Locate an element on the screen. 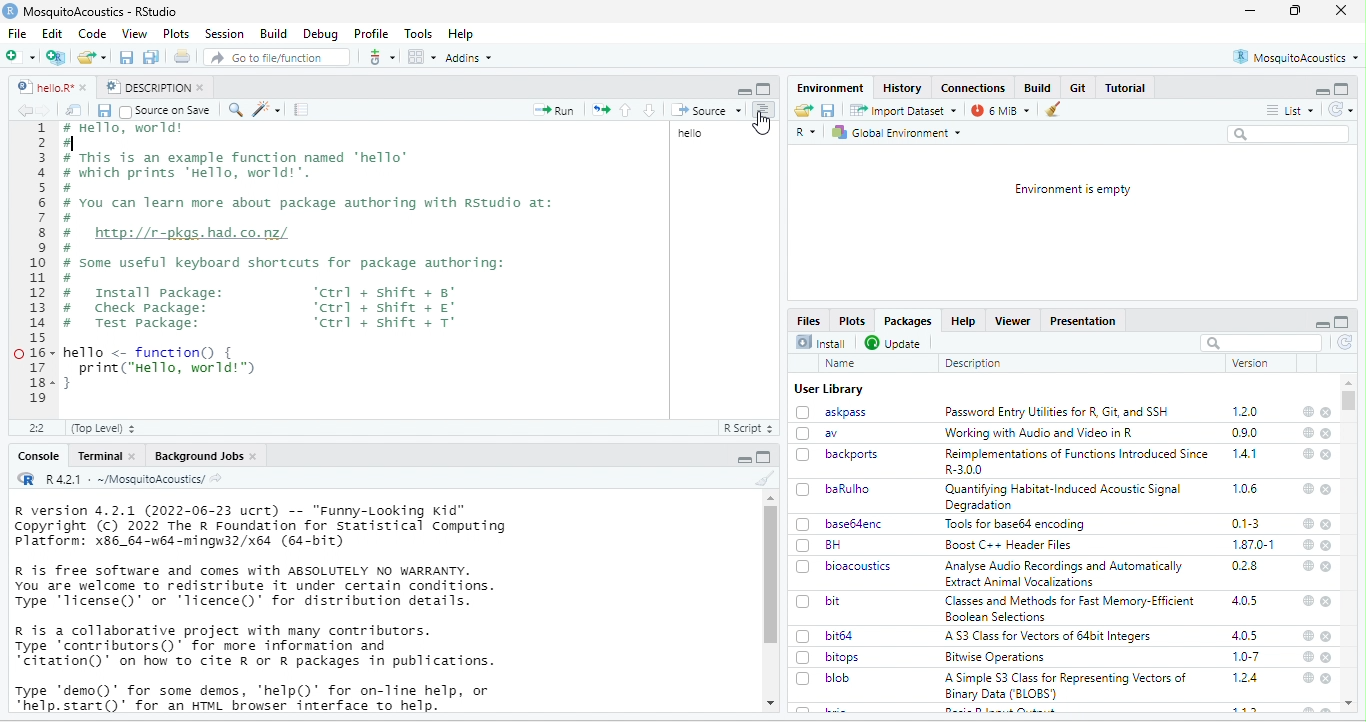  full screen is located at coordinates (764, 89).